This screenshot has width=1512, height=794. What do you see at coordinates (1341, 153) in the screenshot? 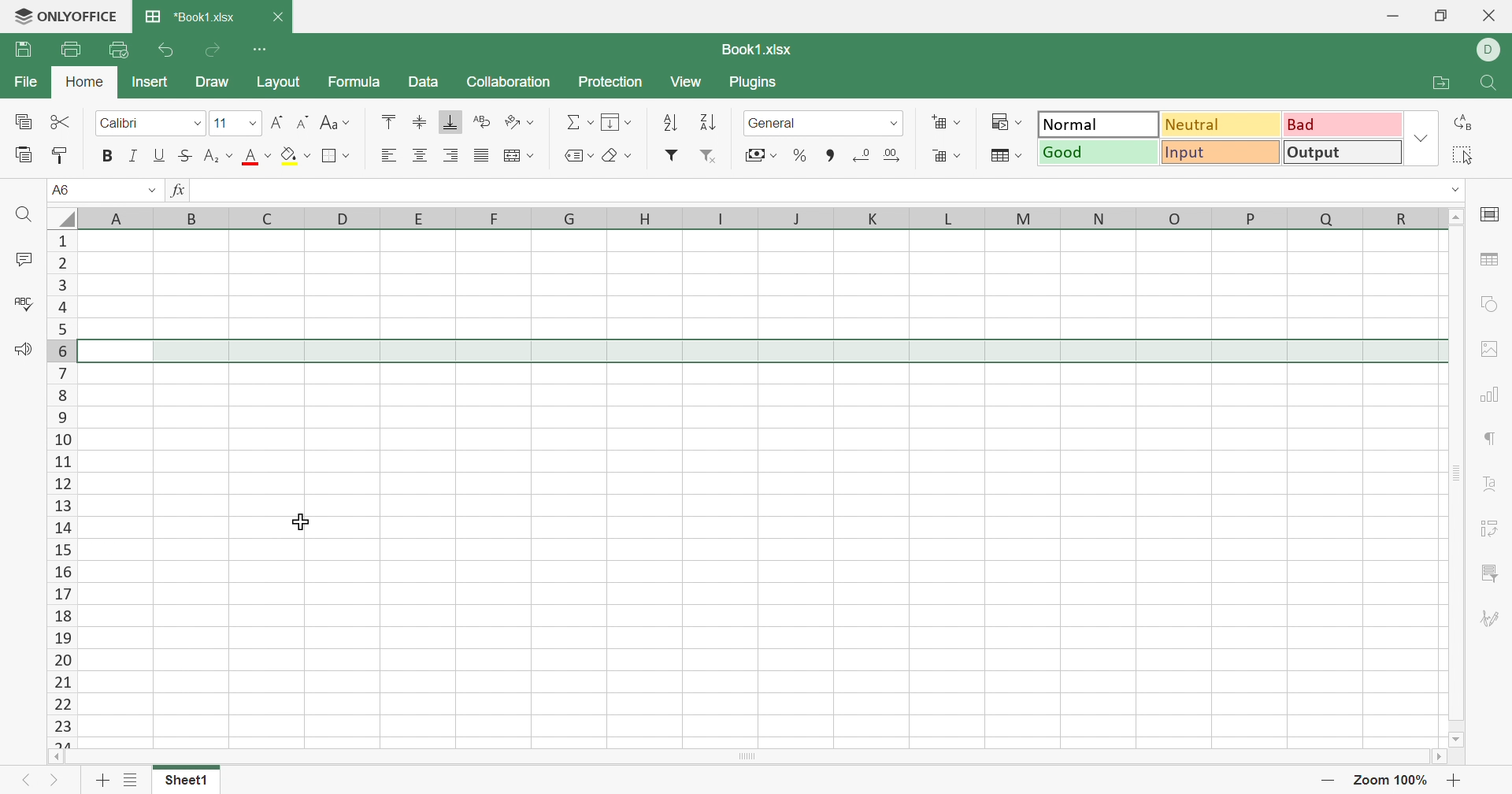
I see `Output` at bounding box center [1341, 153].